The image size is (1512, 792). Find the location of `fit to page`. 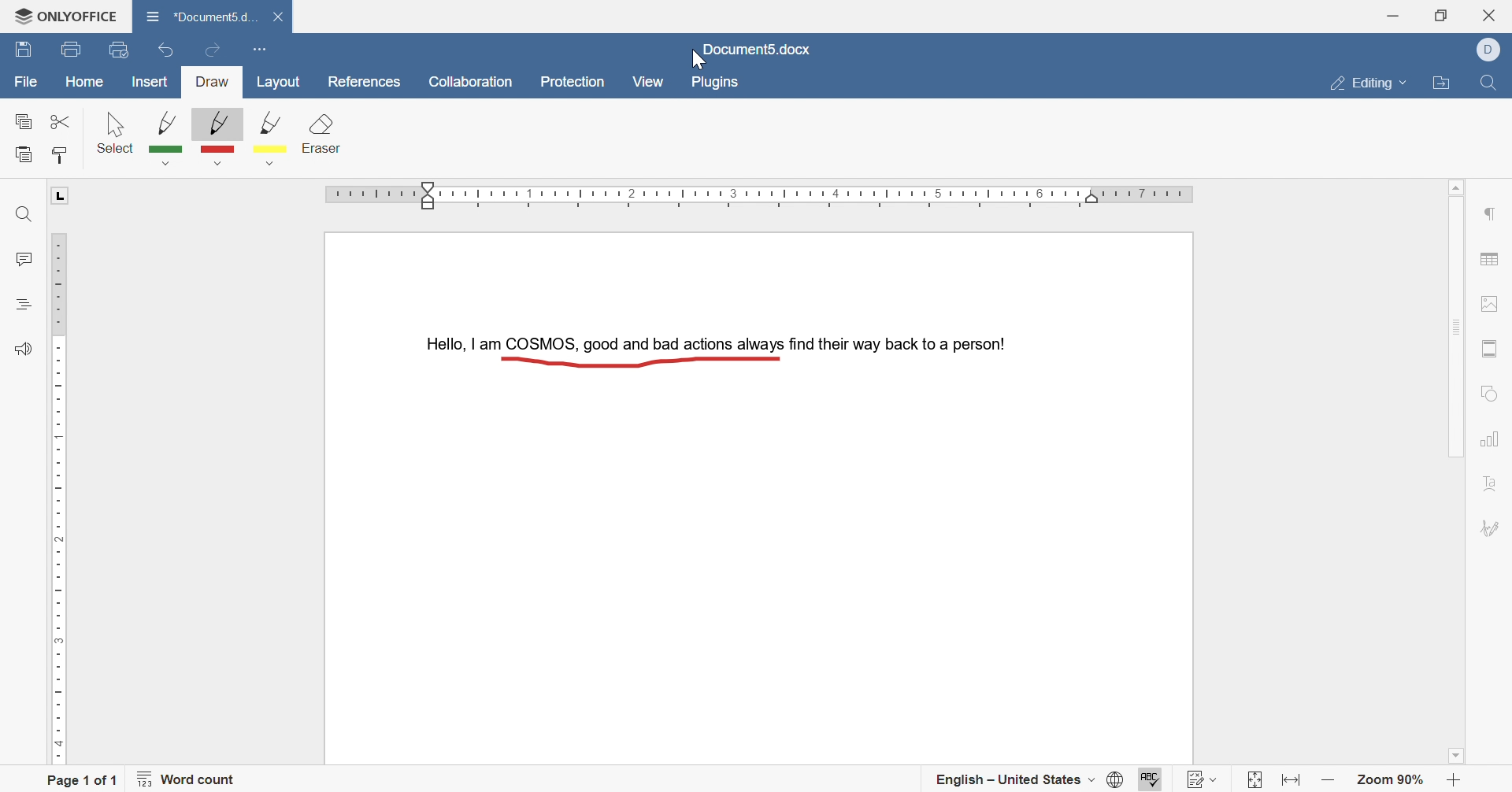

fit to page is located at coordinates (1251, 781).